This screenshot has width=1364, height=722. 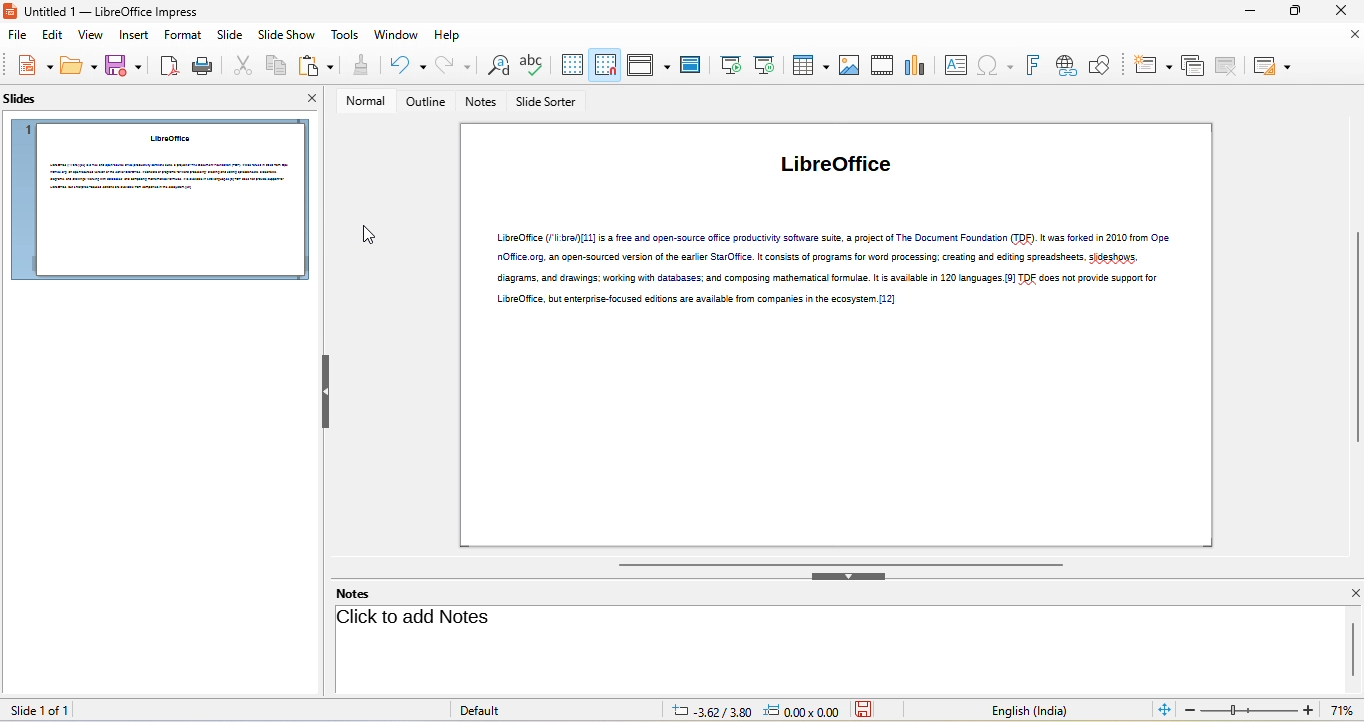 What do you see at coordinates (1299, 12) in the screenshot?
I see `maximize` at bounding box center [1299, 12].